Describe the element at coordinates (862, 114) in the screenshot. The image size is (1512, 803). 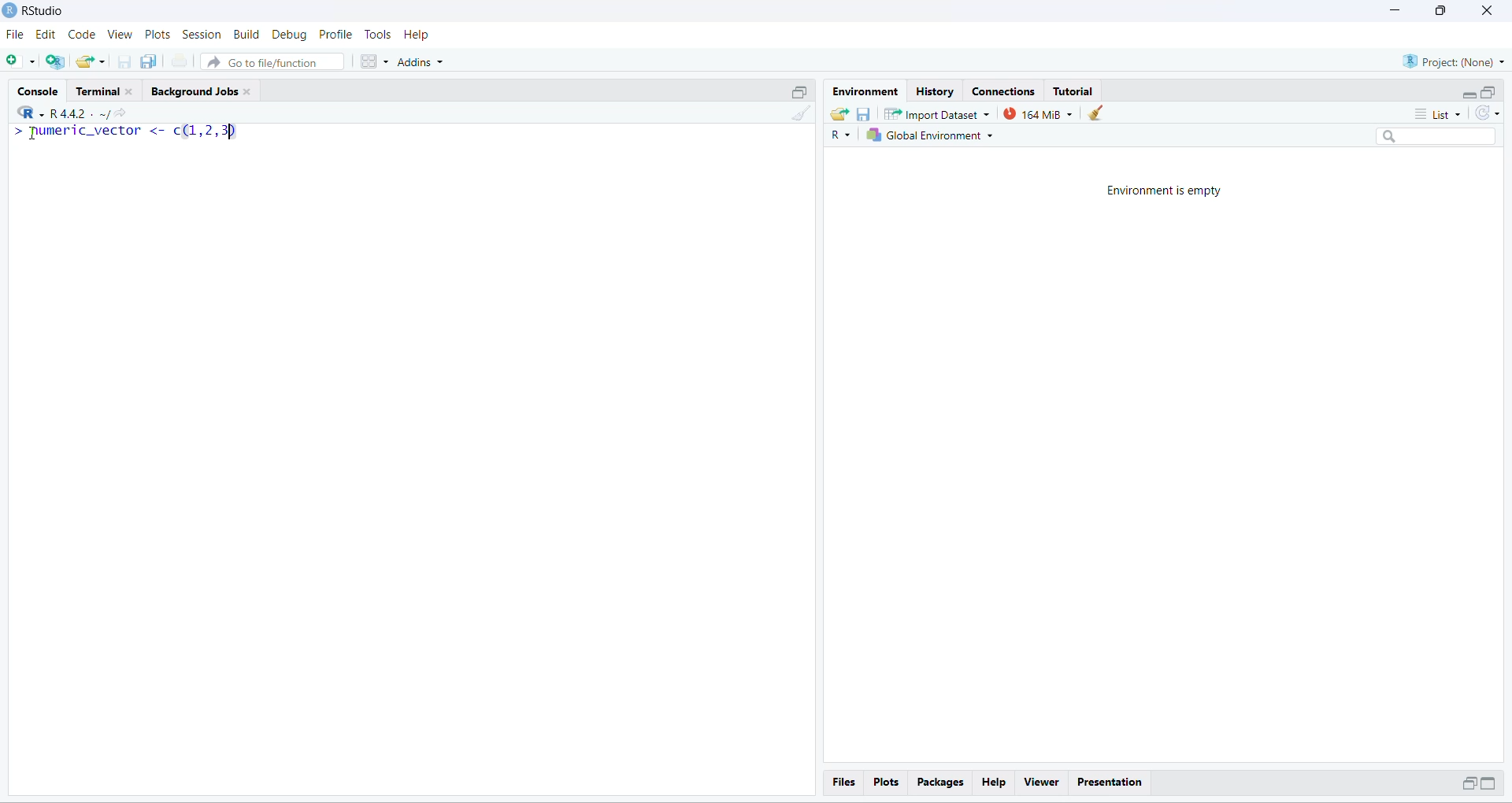
I see `save` at that location.